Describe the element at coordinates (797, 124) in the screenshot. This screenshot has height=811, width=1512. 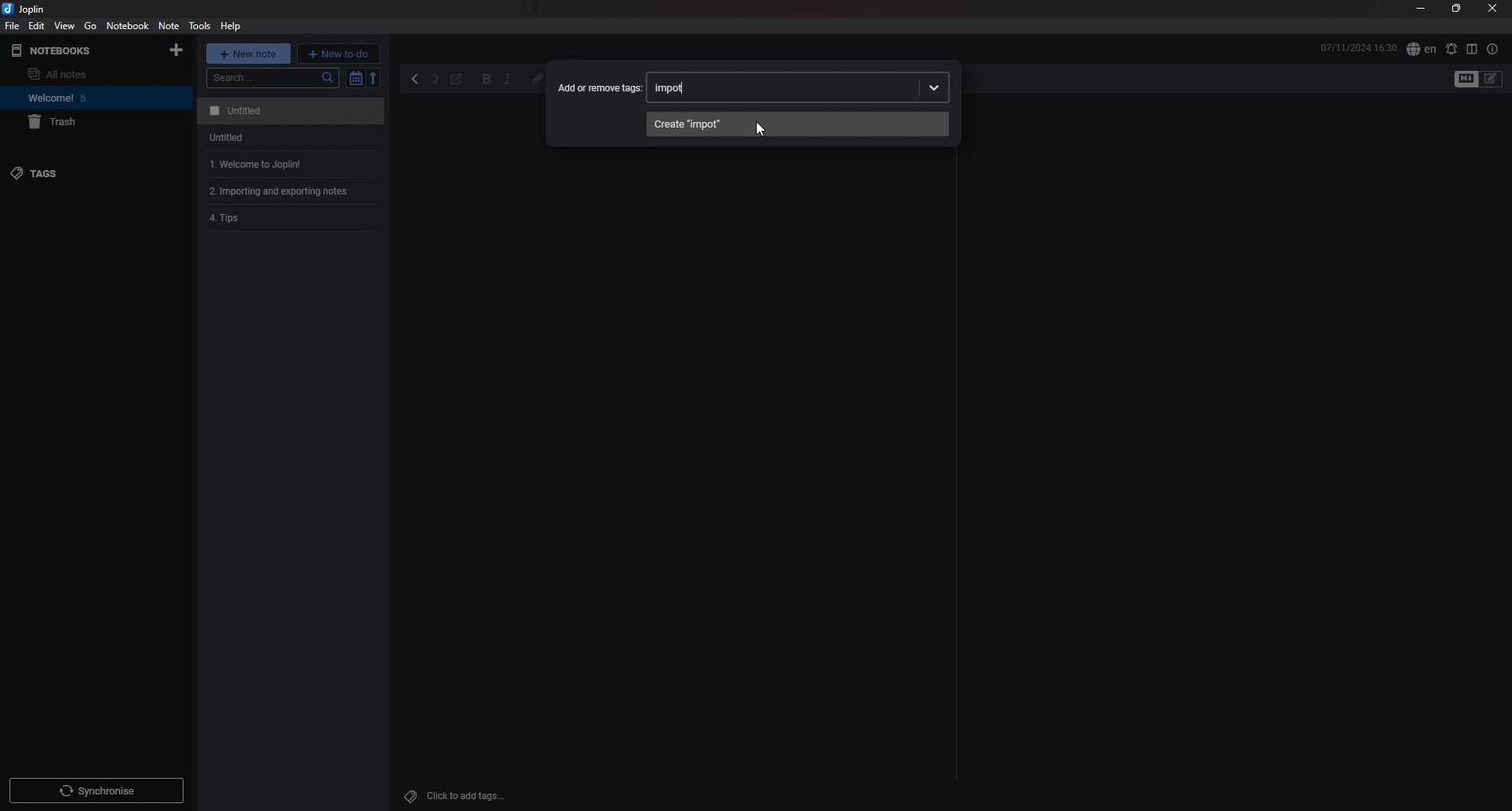
I see `create tag` at that location.